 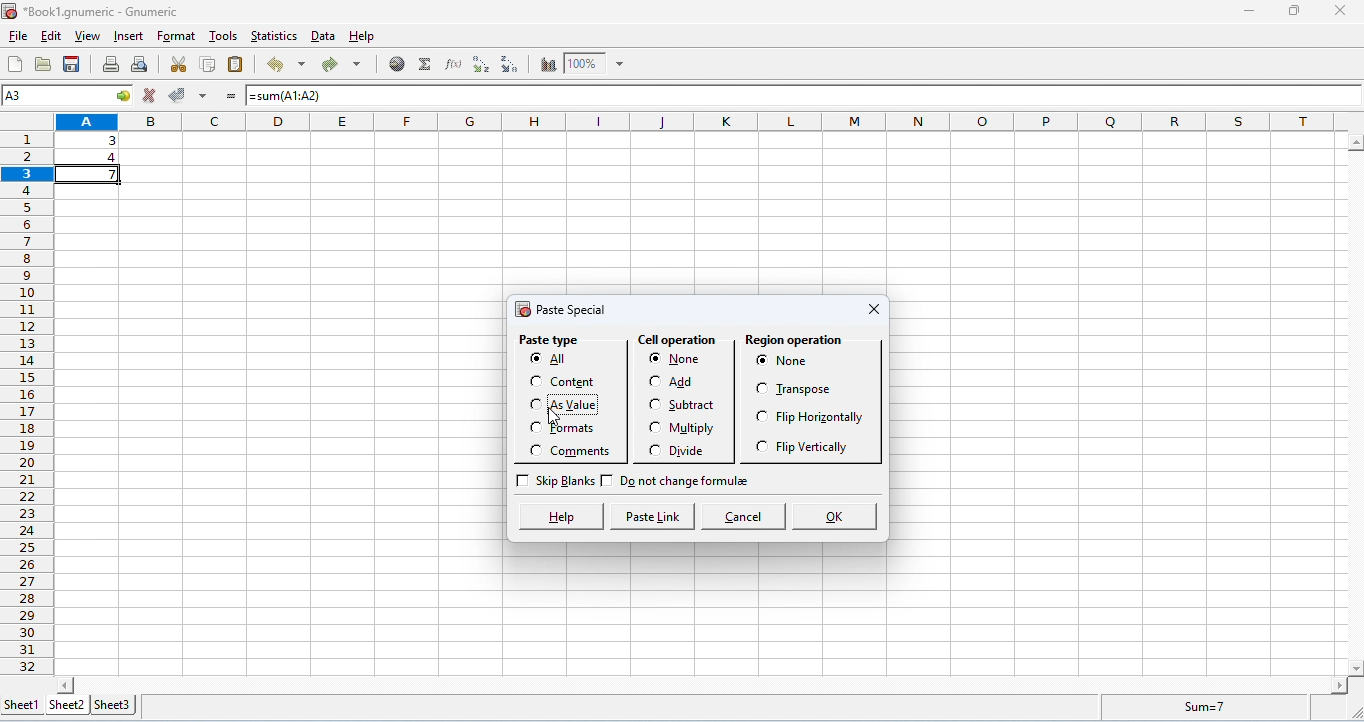 I want to click on print preview, so click(x=140, y=65).